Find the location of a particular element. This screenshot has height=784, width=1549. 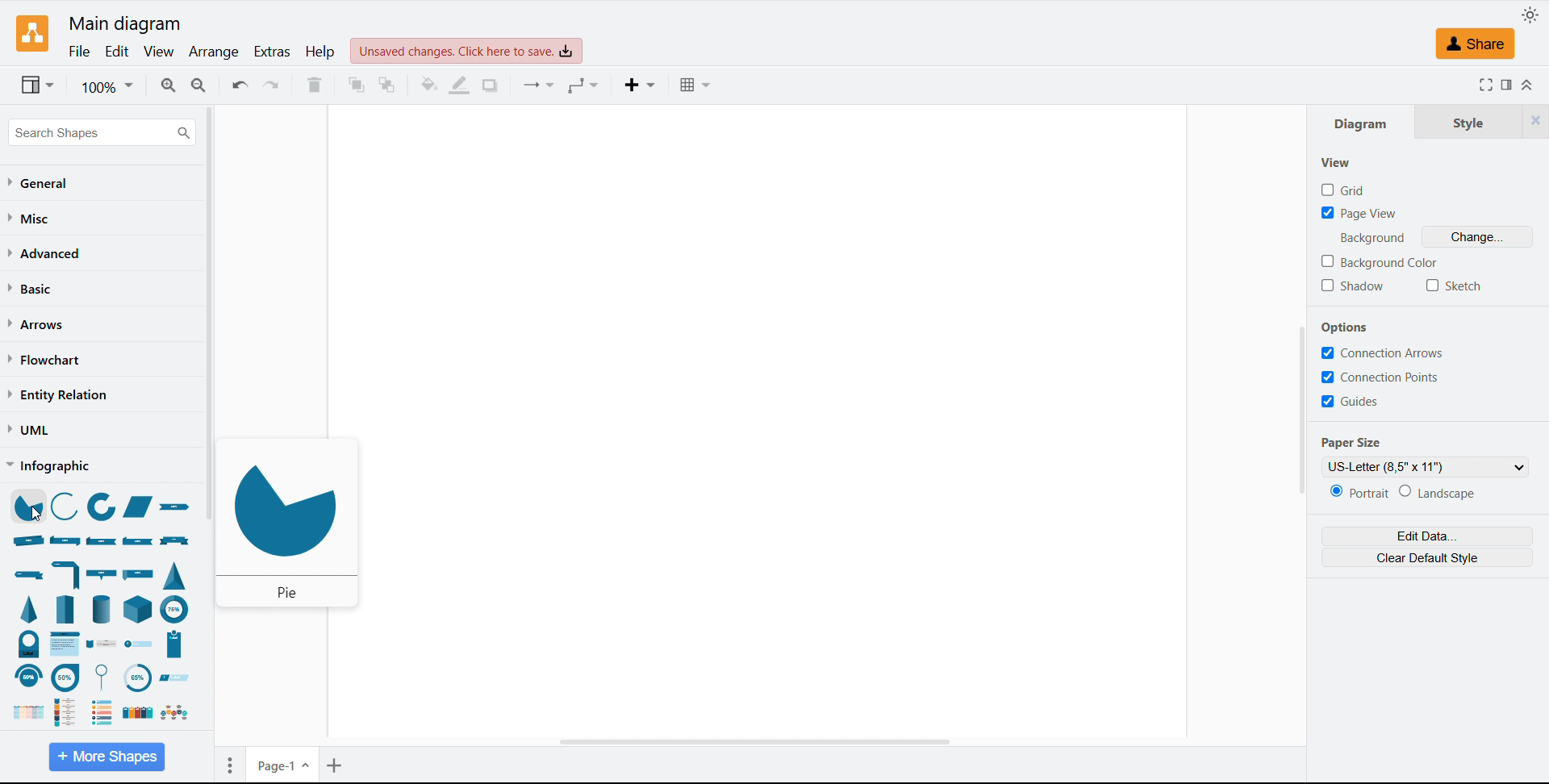

Search shapes  is located at coordinates (107, 132).